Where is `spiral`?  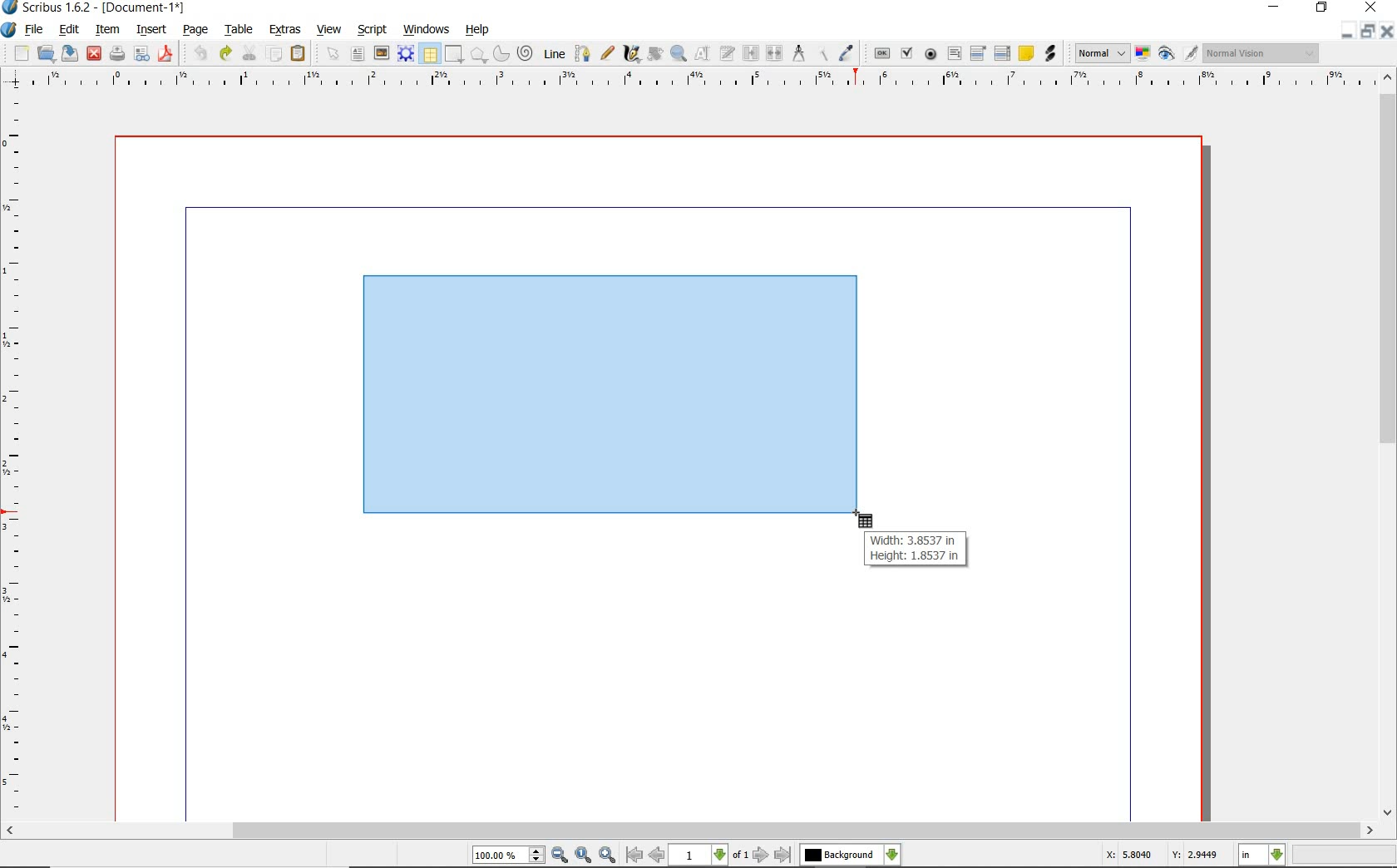 spiral is located at coordinates (526, 54).